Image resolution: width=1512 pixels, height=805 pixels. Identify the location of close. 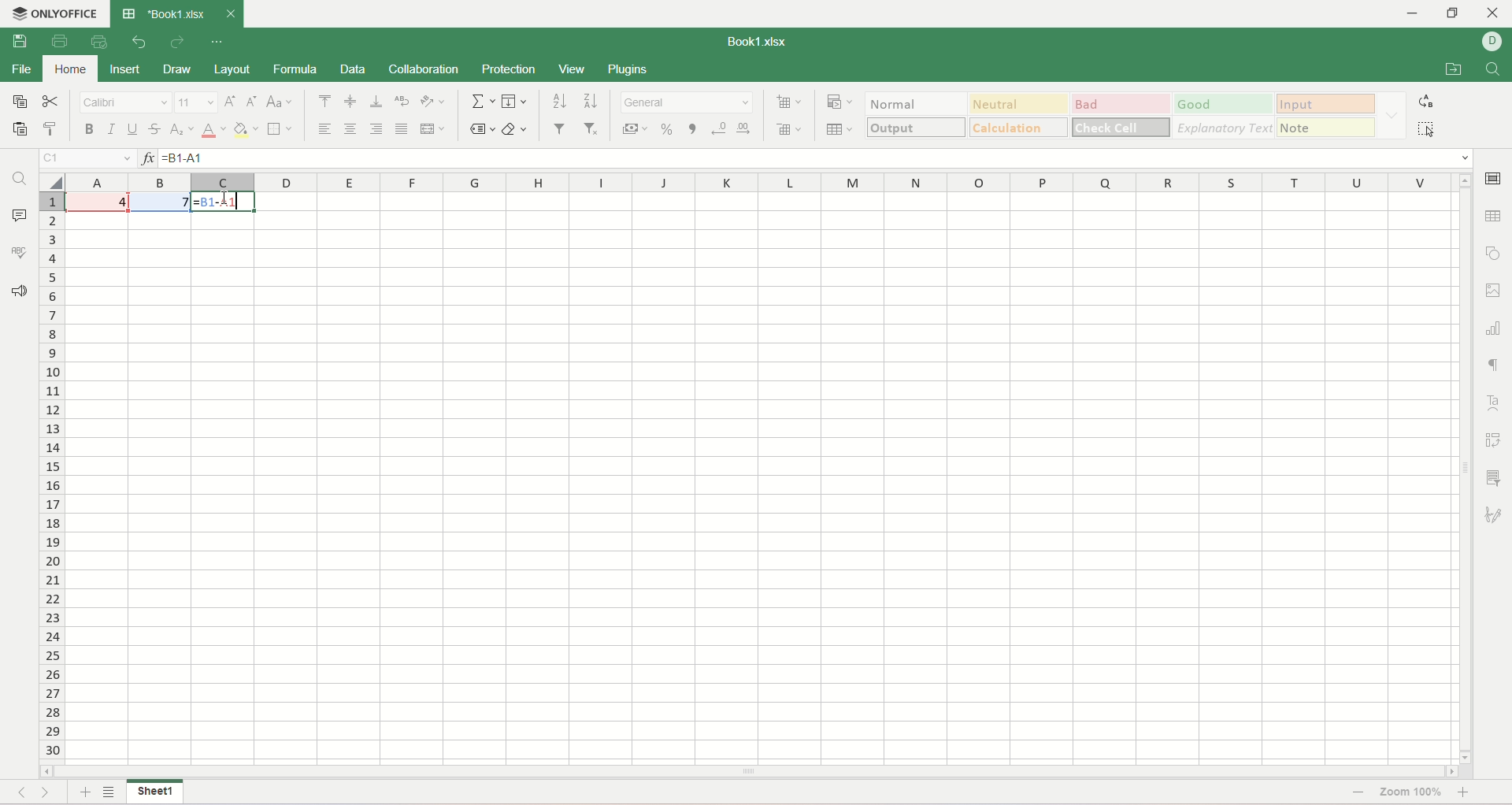
(230, 11).